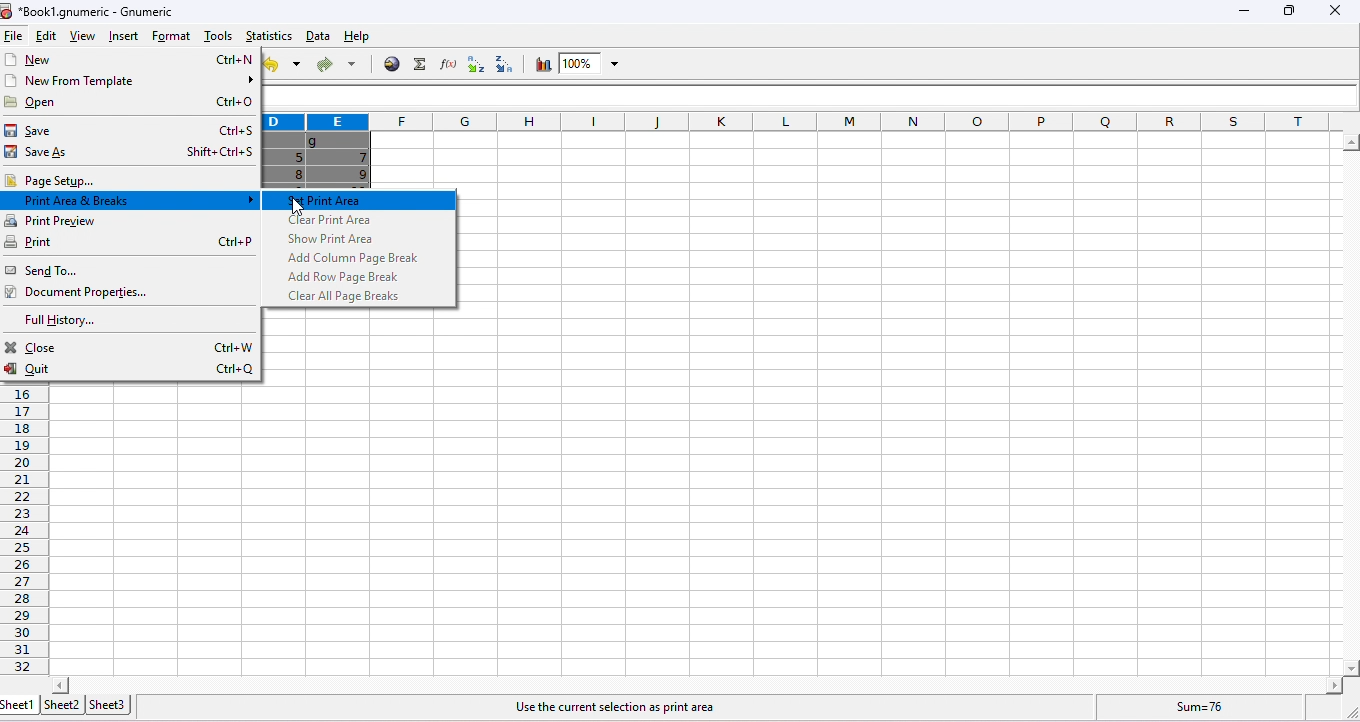 This screenshot has width=1360, height=722. What do you see at coordinates (83, 293) in the screenshot?
I see `document properties` at bounding box center [83, 293].